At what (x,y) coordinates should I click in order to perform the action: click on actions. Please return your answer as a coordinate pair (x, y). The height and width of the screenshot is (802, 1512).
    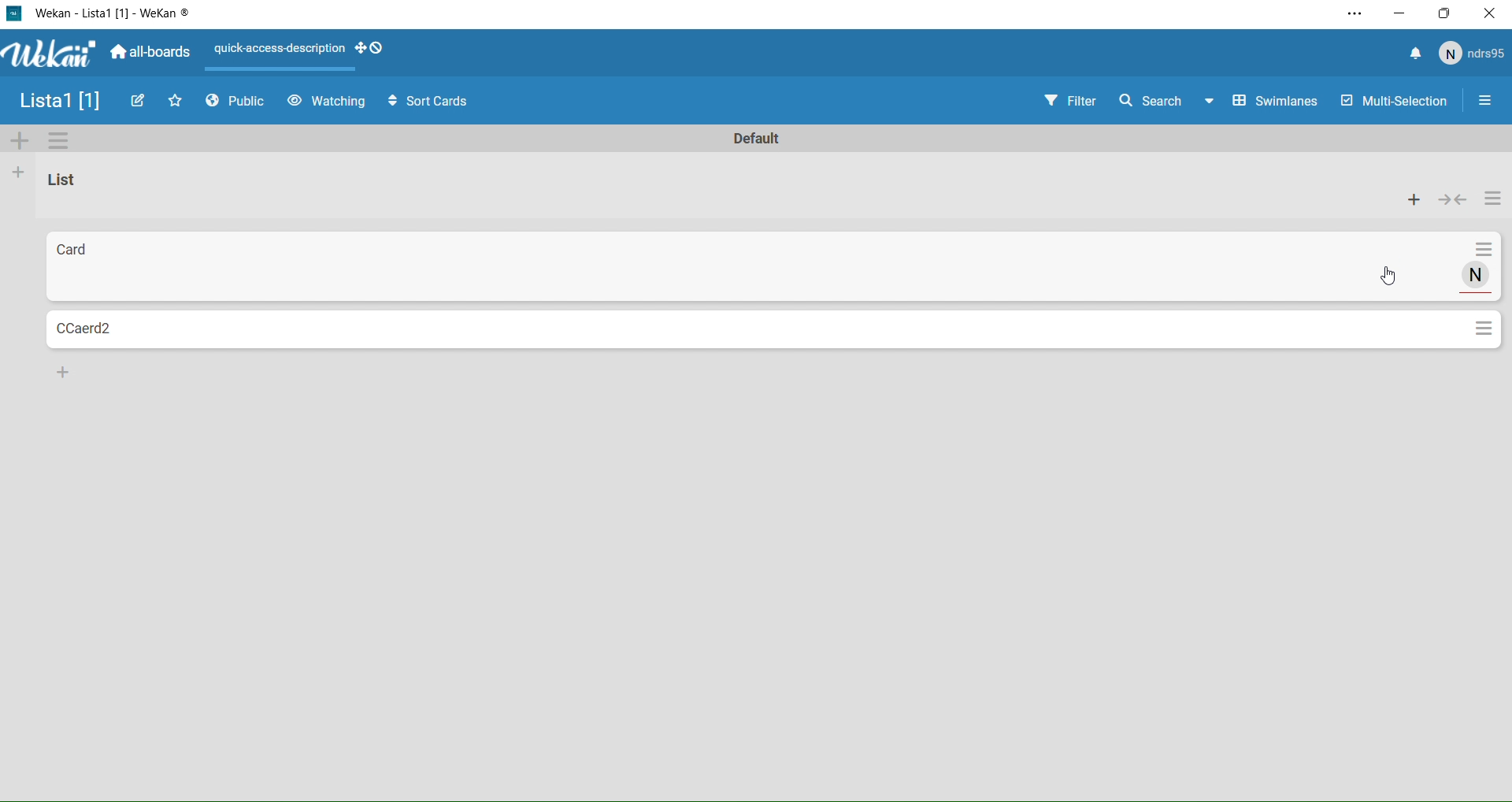
    Looking at the image, I should click on (1484, 251).